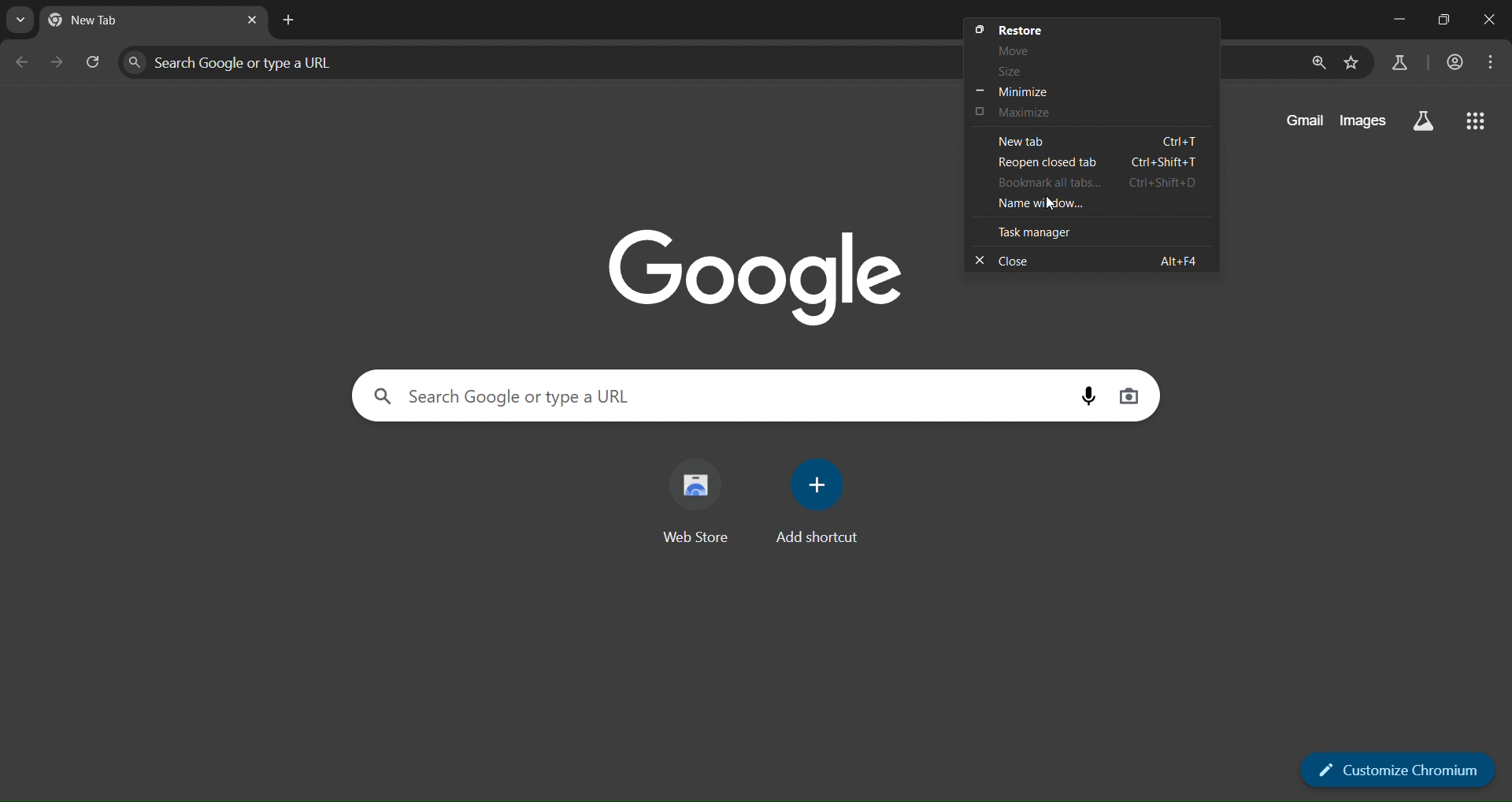  Describe the element at coordinates (290, 20) in the screenshot. I see `new tab` at that location.